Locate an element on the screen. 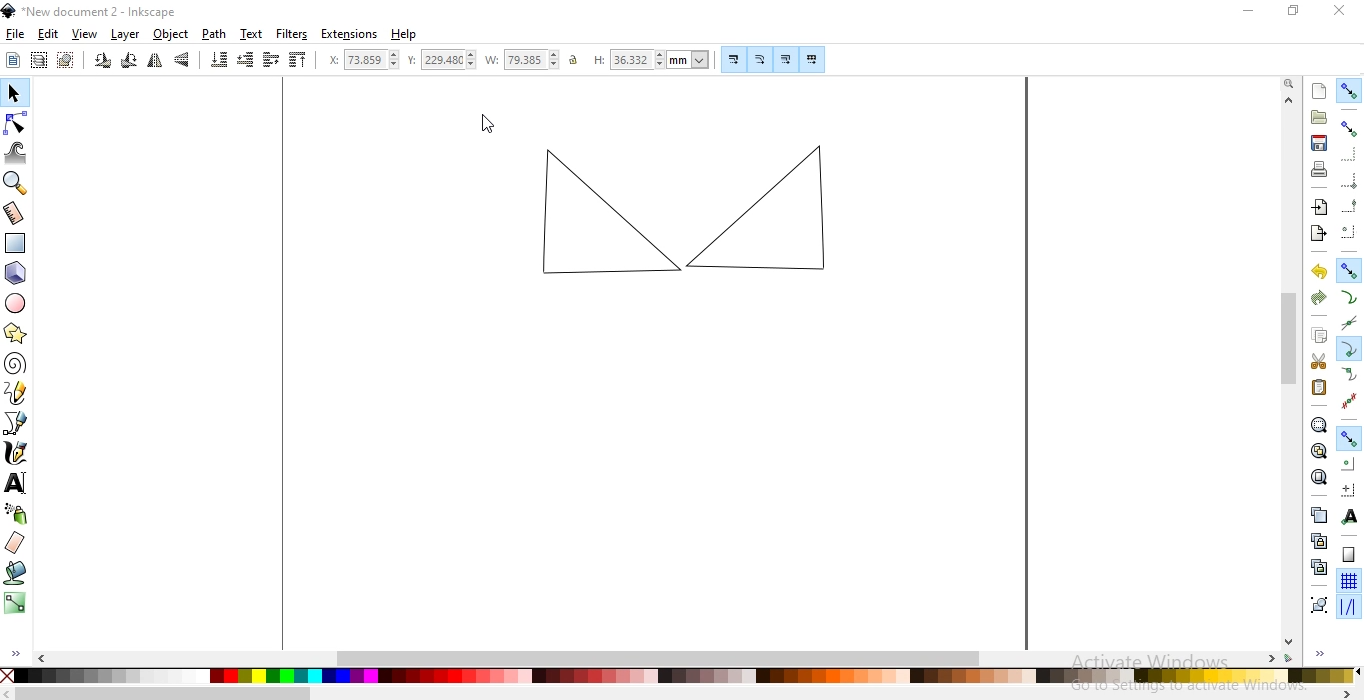 This screenshot has width=1364, height=700. draw bezier lines and straight lines is located at coordinates (18, 425).